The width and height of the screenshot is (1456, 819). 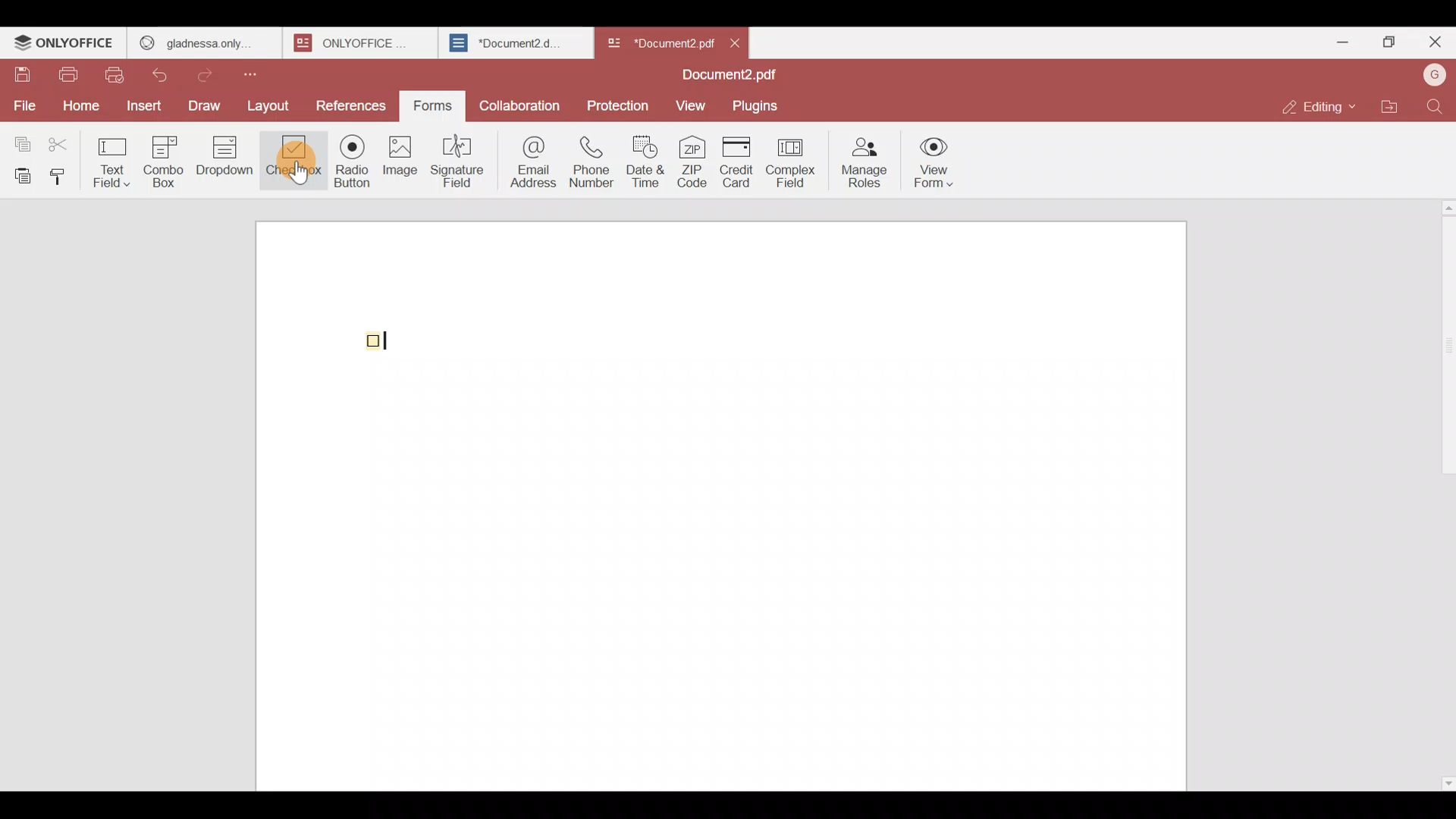 I want to click on Copy style, so click(x=64, y=173).